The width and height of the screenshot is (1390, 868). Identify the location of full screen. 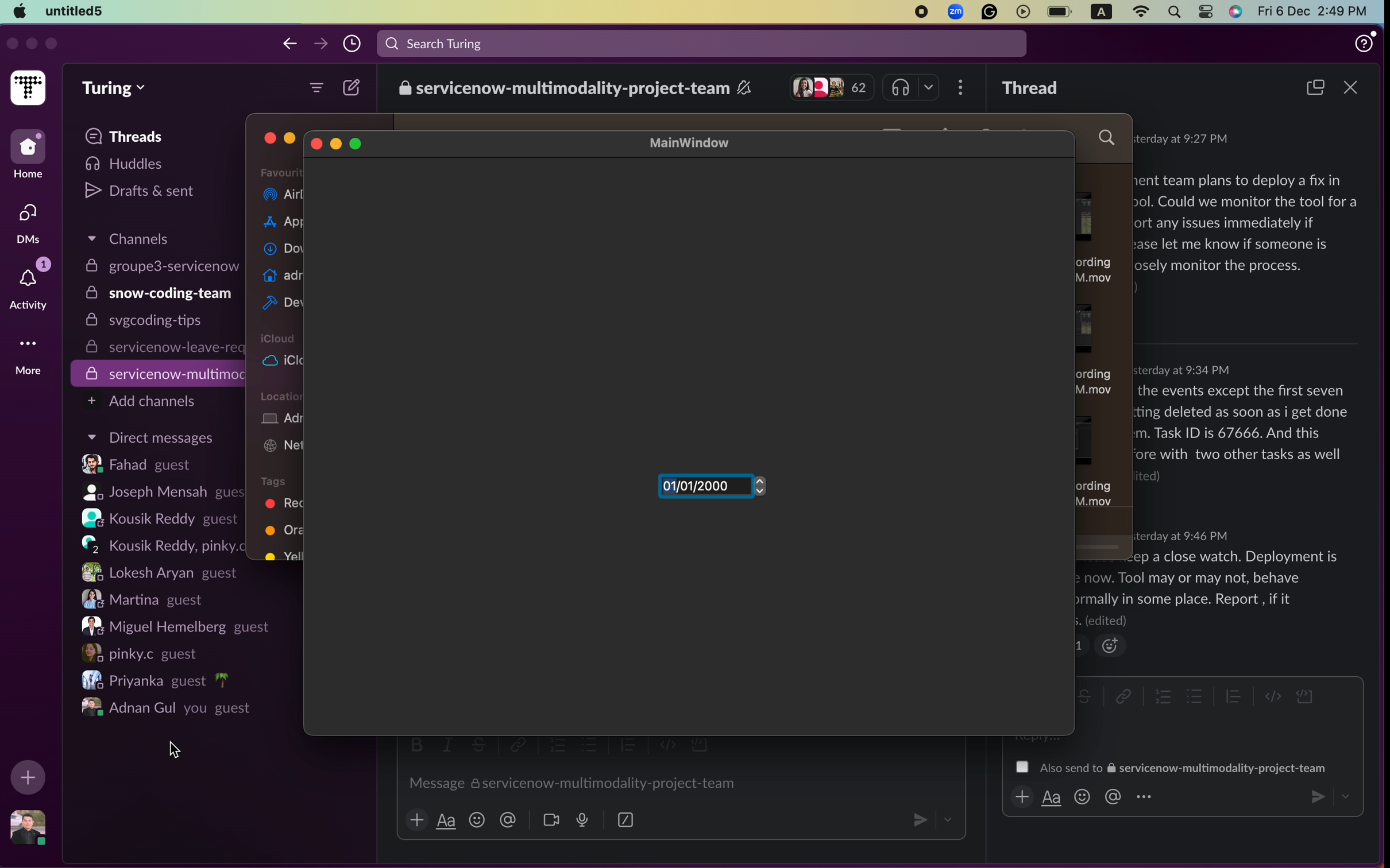
(52, 44).